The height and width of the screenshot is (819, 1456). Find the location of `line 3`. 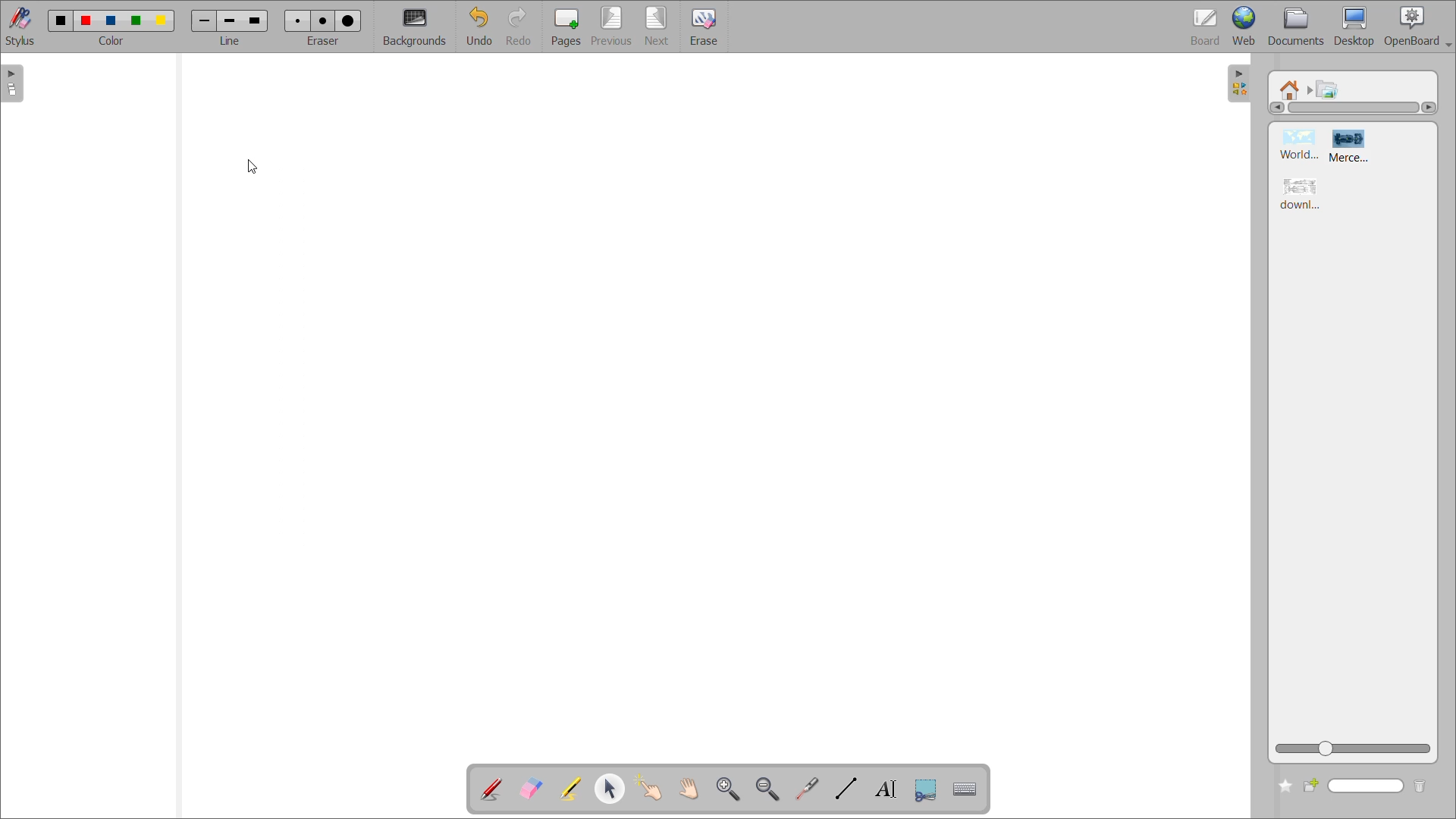

line 3 is located at coordinates (255, 20).